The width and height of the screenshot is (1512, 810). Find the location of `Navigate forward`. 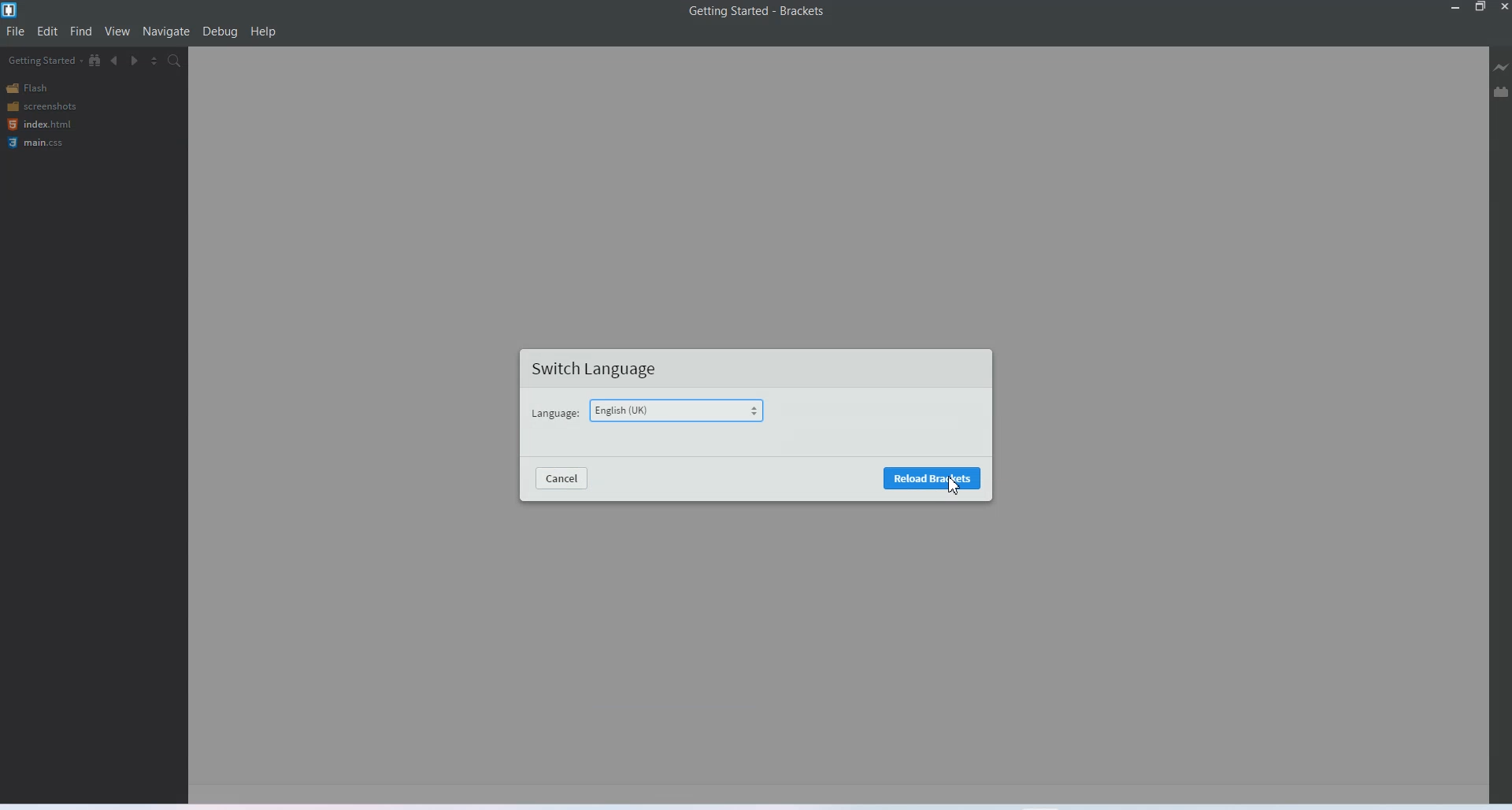

Navigate forward is located at coordinates (135, 61).